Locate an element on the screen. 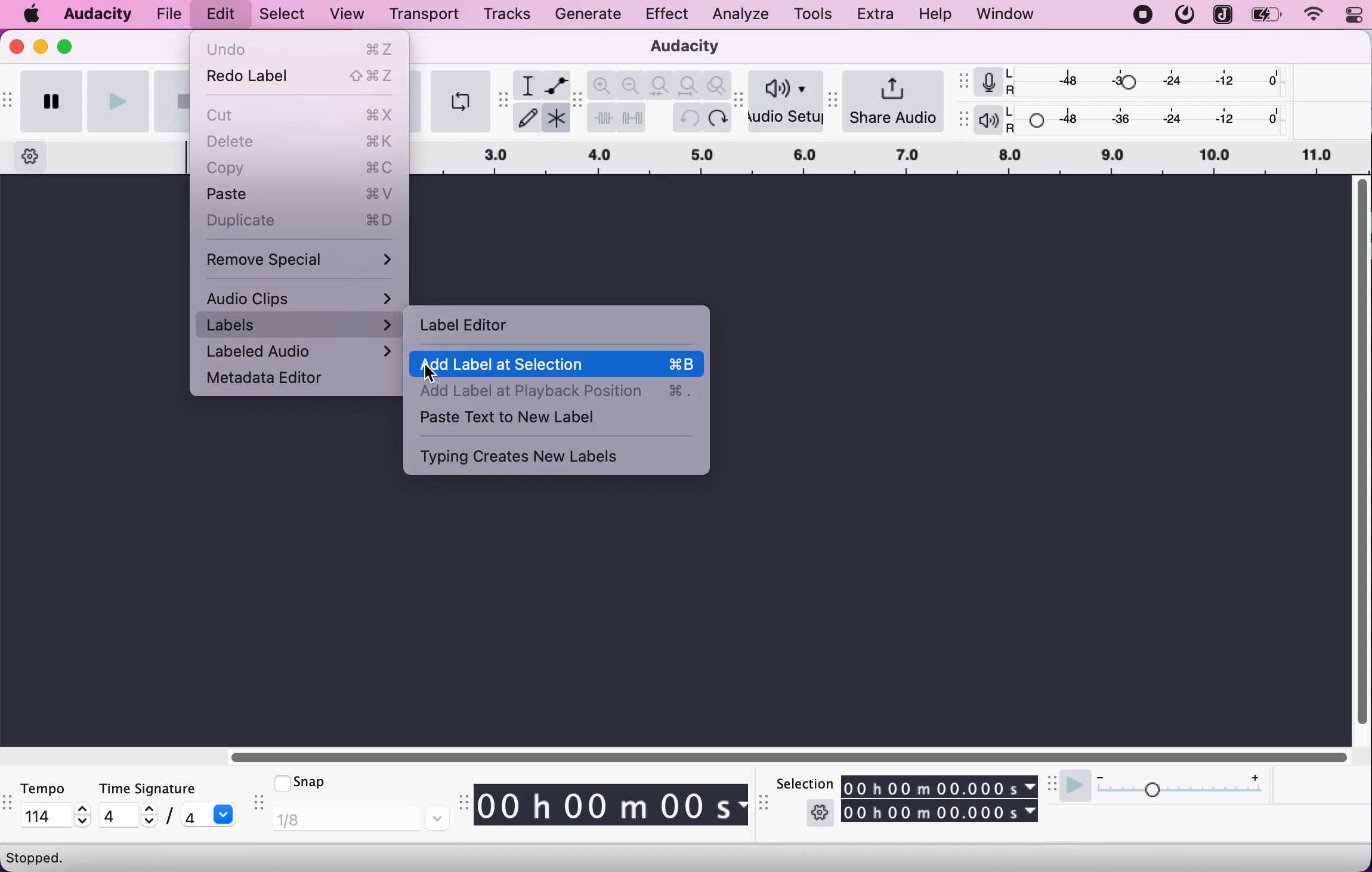 Image resolution: width=1372 pixels, height=872 pixels. 114 is located at coordinates (43, 814).